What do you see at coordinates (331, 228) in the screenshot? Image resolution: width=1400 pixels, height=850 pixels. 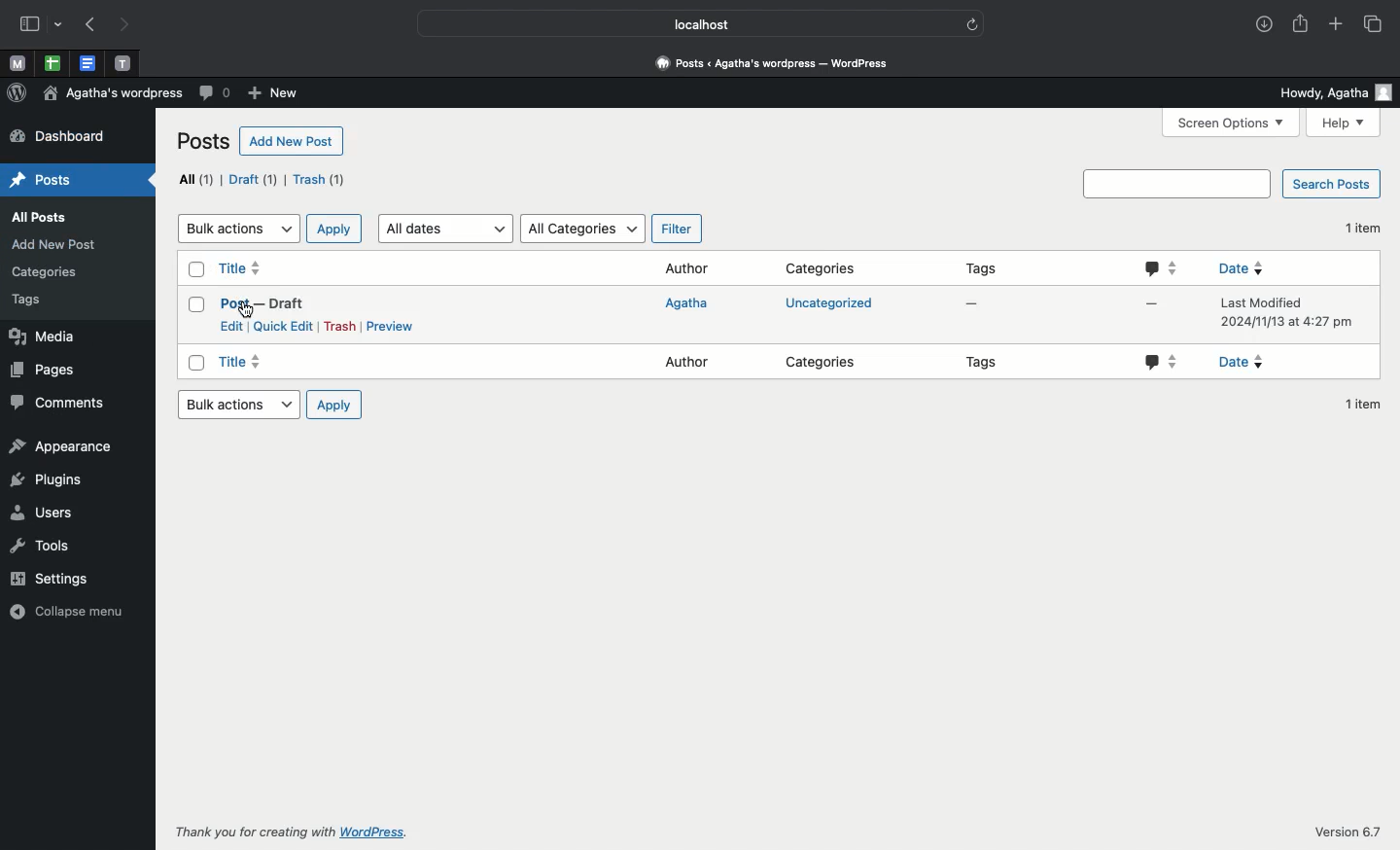 I see `Apply` at bounding box center [331, 228].